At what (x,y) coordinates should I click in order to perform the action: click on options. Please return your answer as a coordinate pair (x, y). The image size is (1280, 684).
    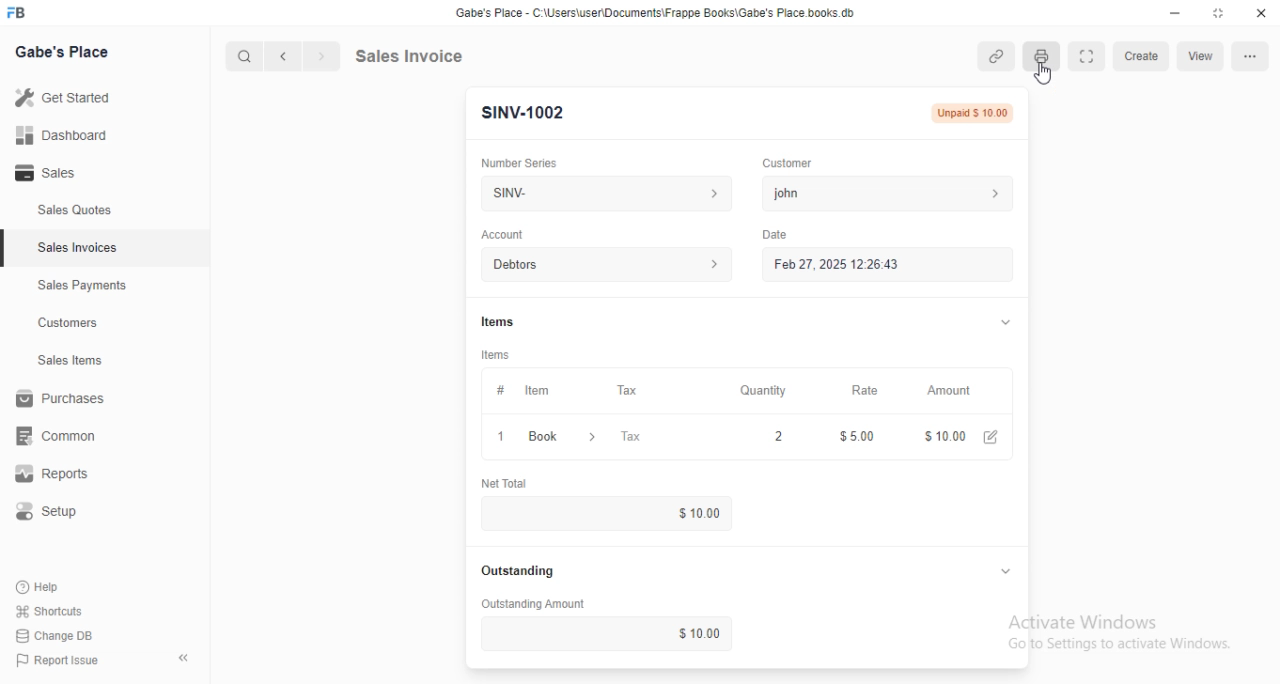
    Looking at the image, I should click on (1251, 56).